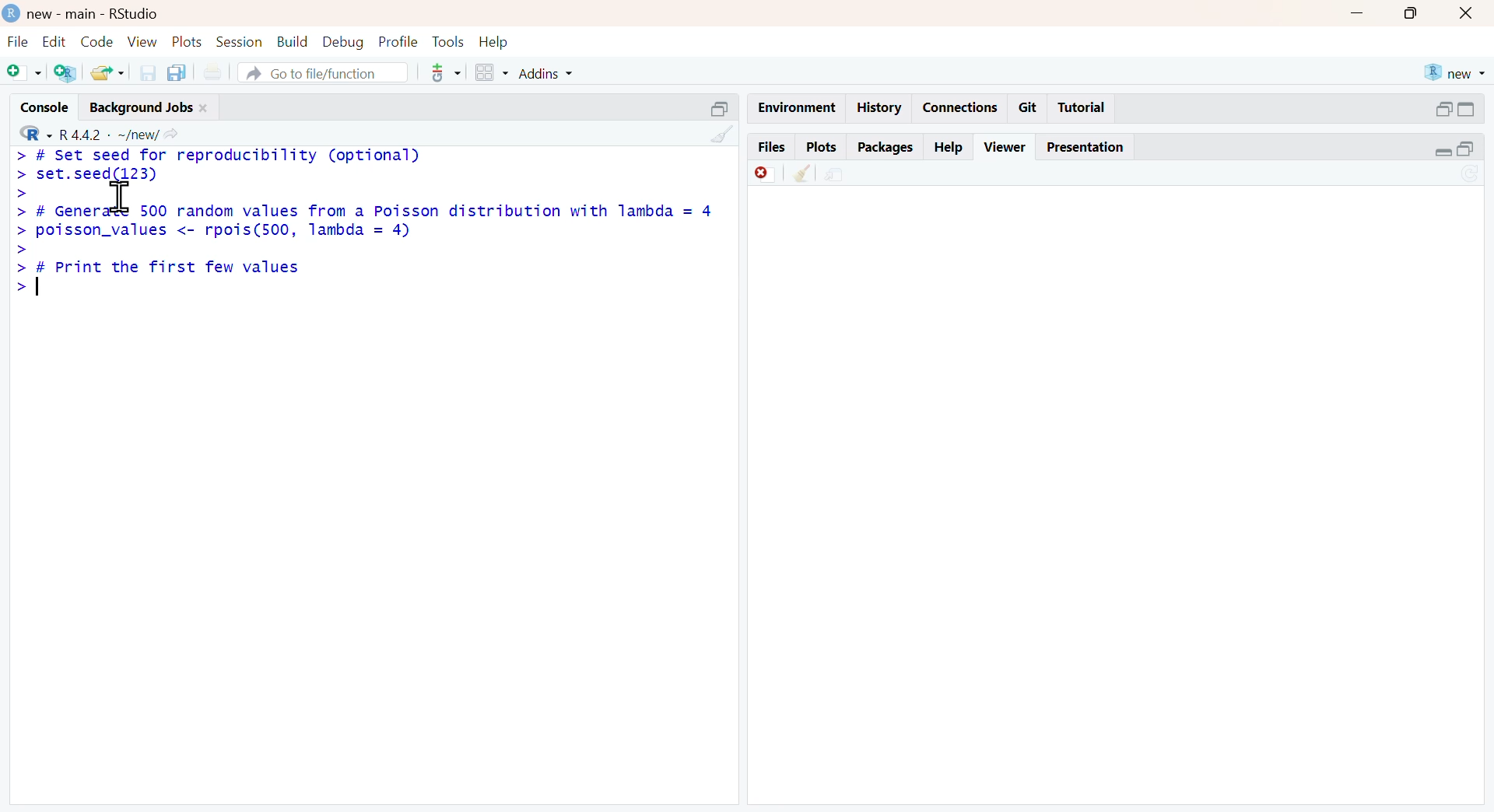 Image resolution: width=1494 pixels, height=812 pixels. What do you see at coordinates (121, 197) in the screenshot?
I see `cursor` at bounding box center [121, 197].